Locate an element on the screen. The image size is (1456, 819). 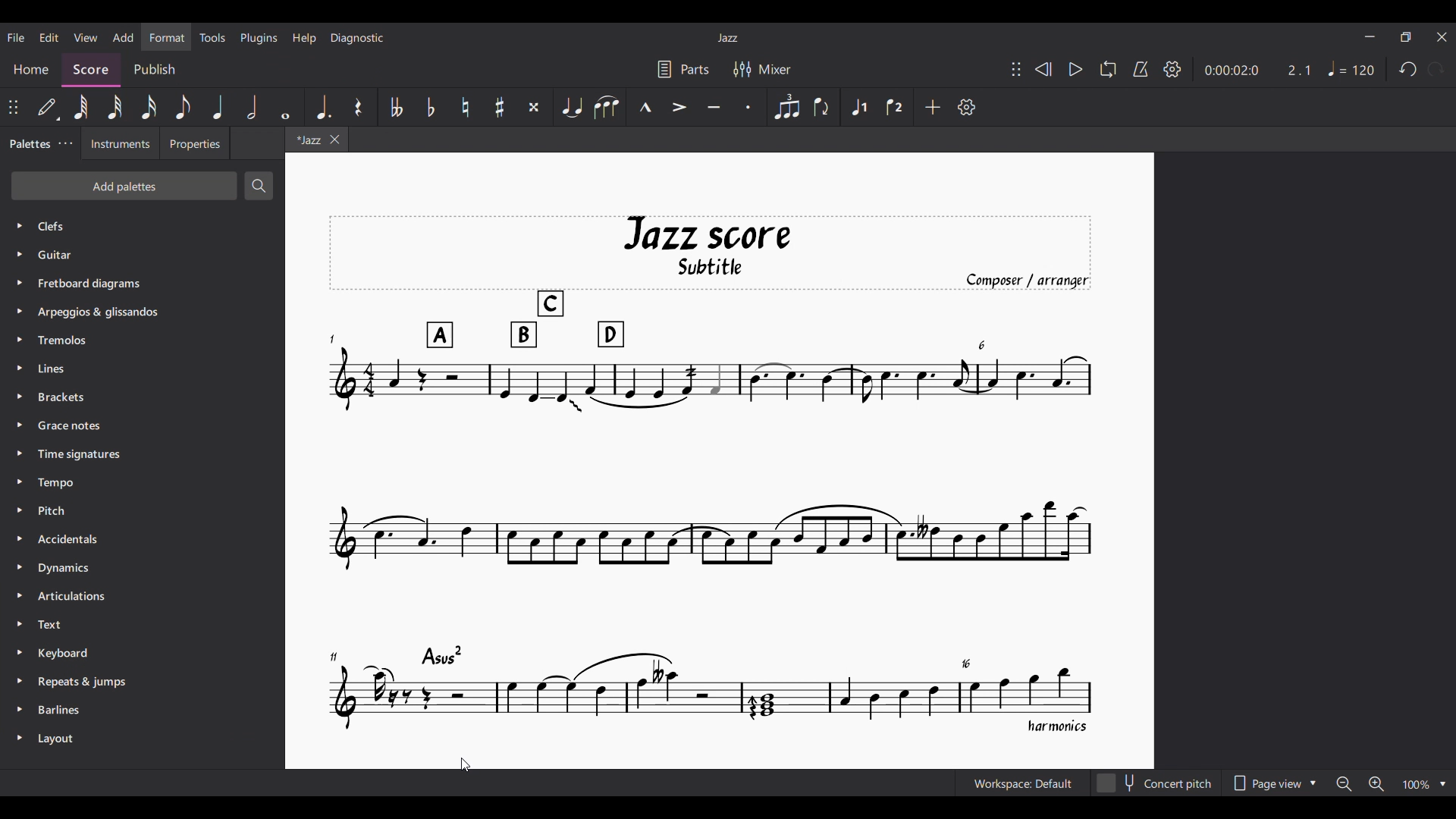
Instruments is located at coordinates (119, 143).